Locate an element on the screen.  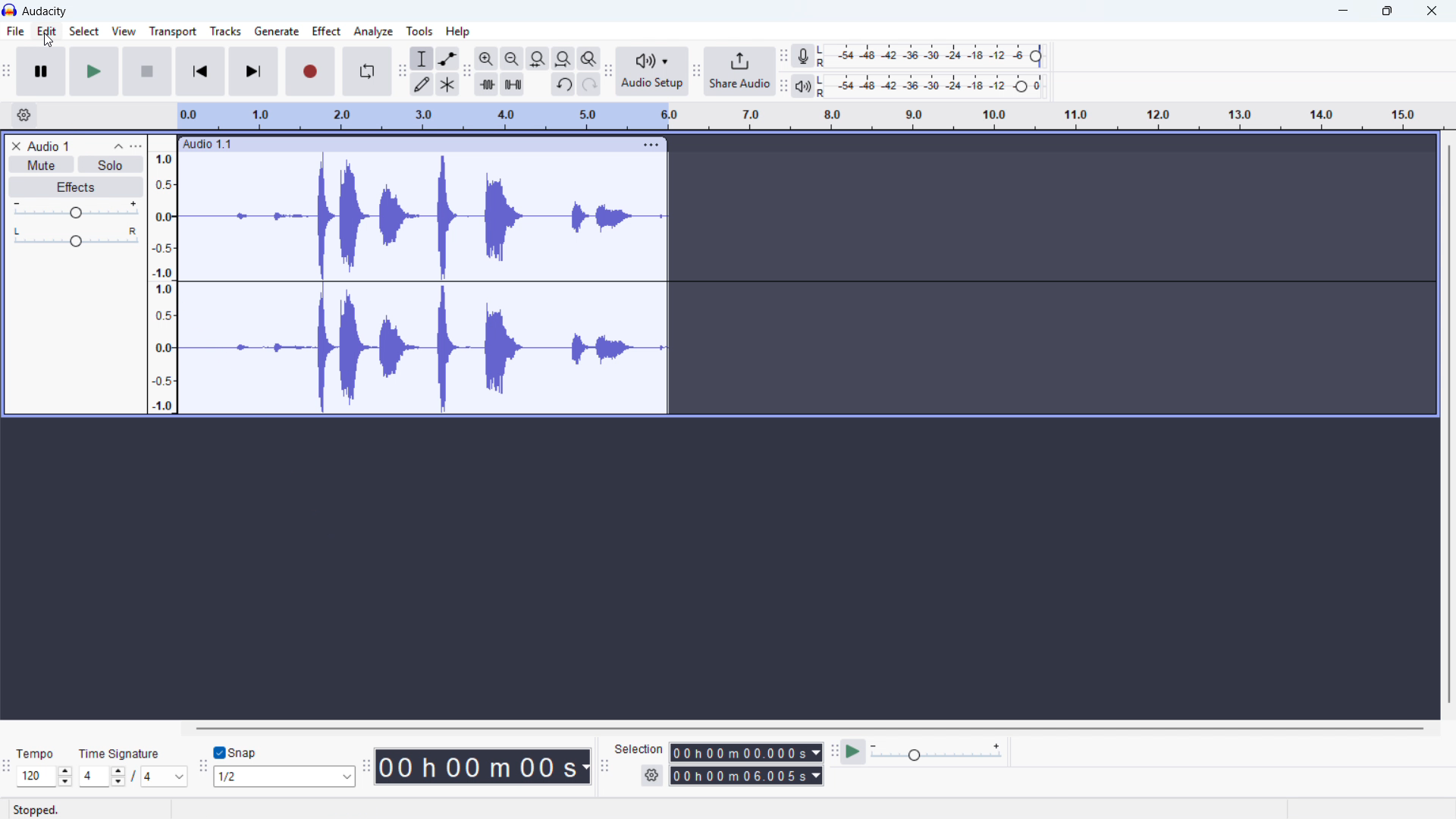
set snapping is located at coordinates (284, 777).